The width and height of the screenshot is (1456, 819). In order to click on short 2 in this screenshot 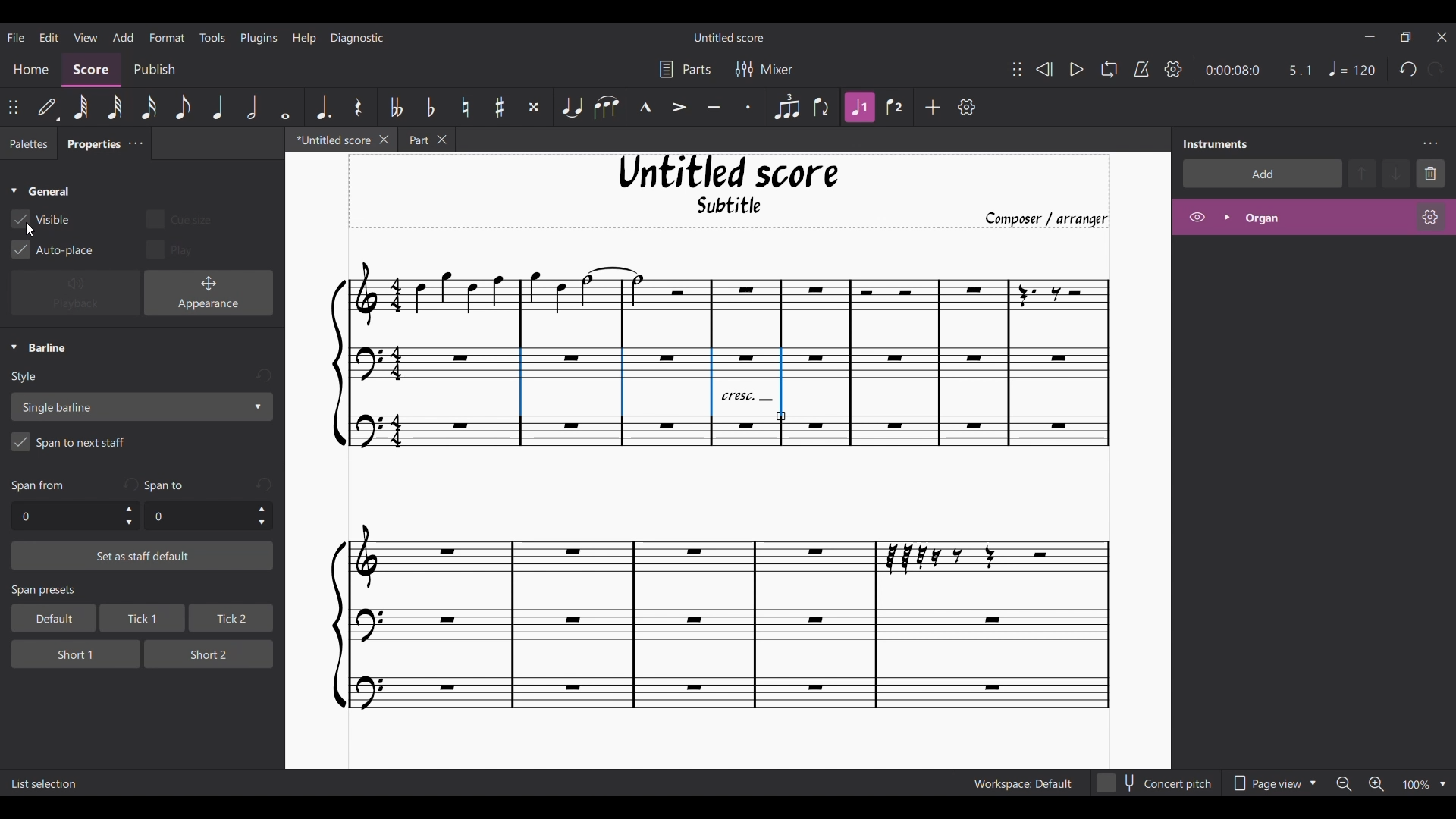, I will do `click(202, 653)`.